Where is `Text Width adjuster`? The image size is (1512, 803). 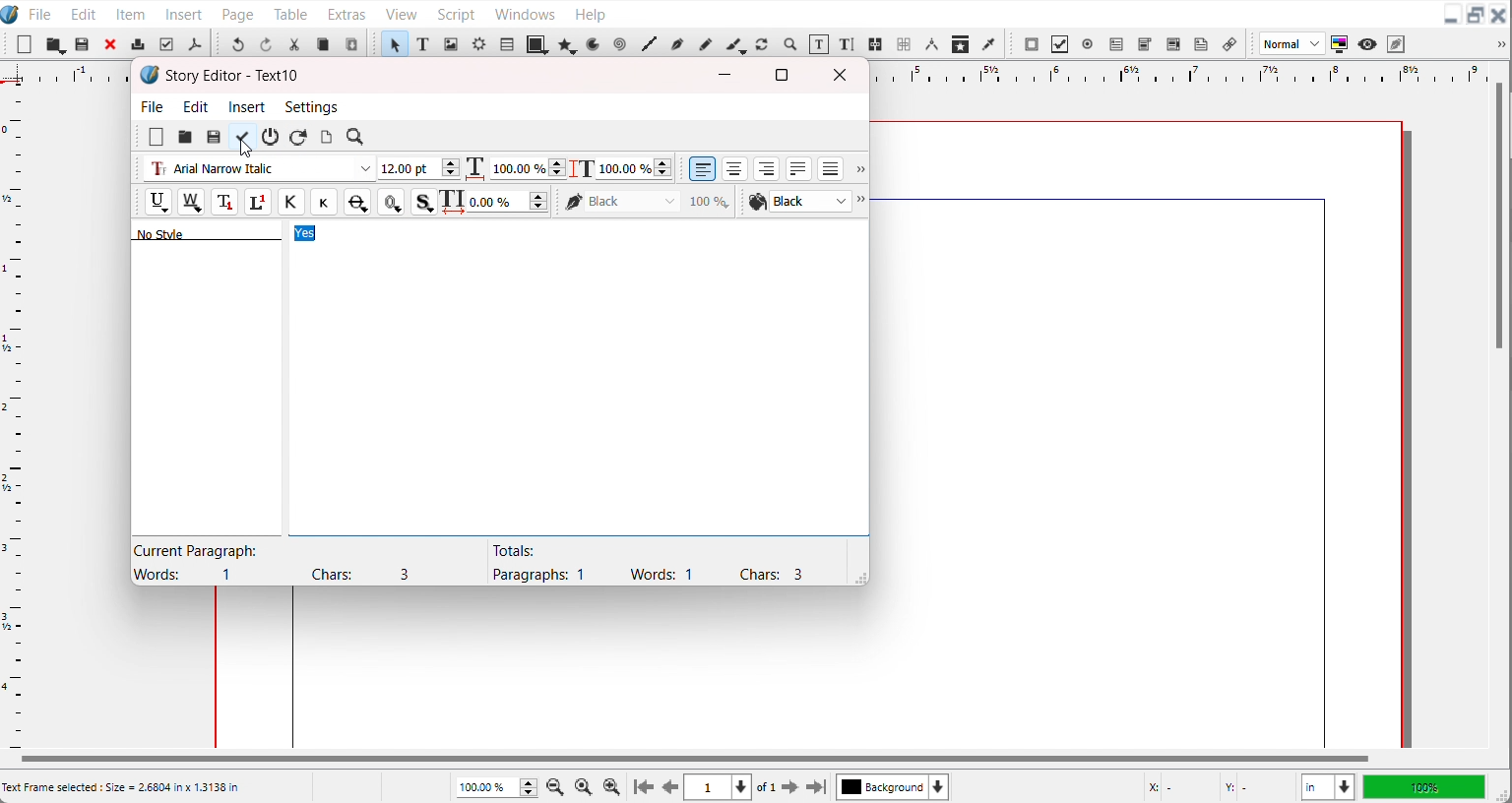
Text Width adjuster is located at coordinates (509, 202).